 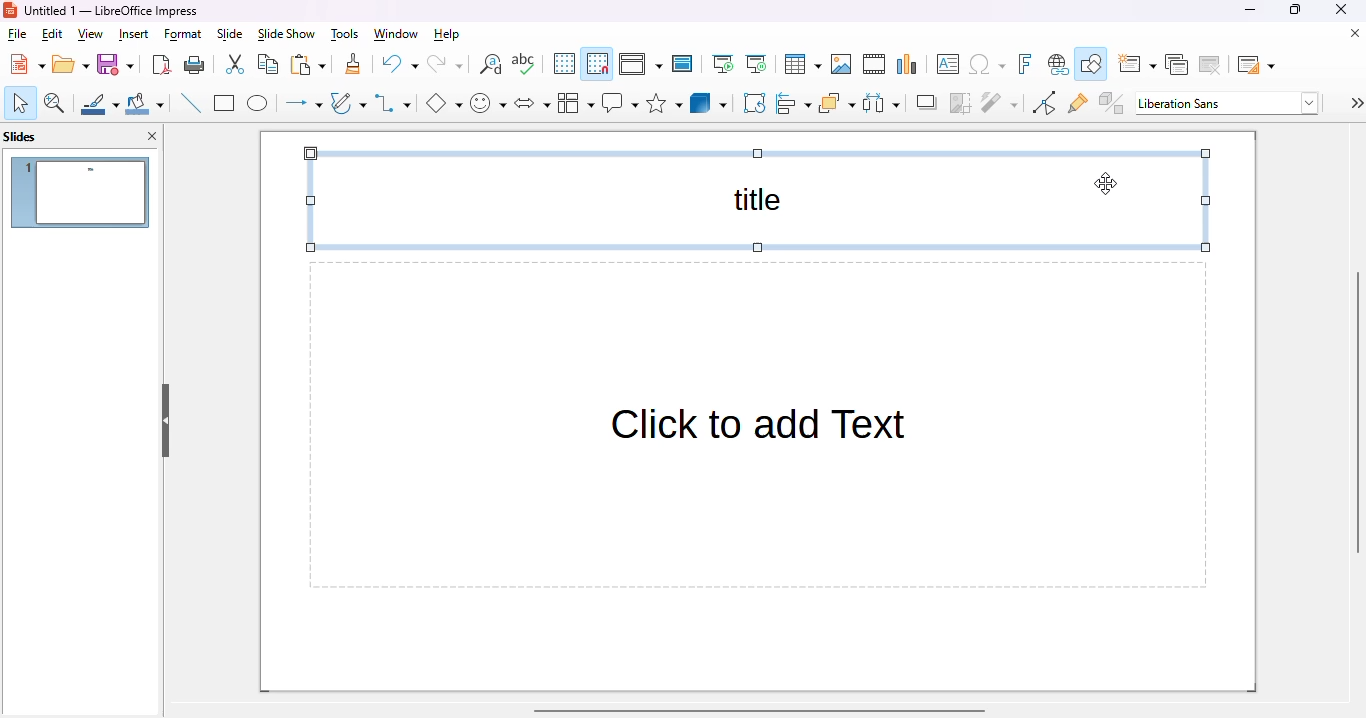 I want to click on master slide, so click(x=683, y=64).